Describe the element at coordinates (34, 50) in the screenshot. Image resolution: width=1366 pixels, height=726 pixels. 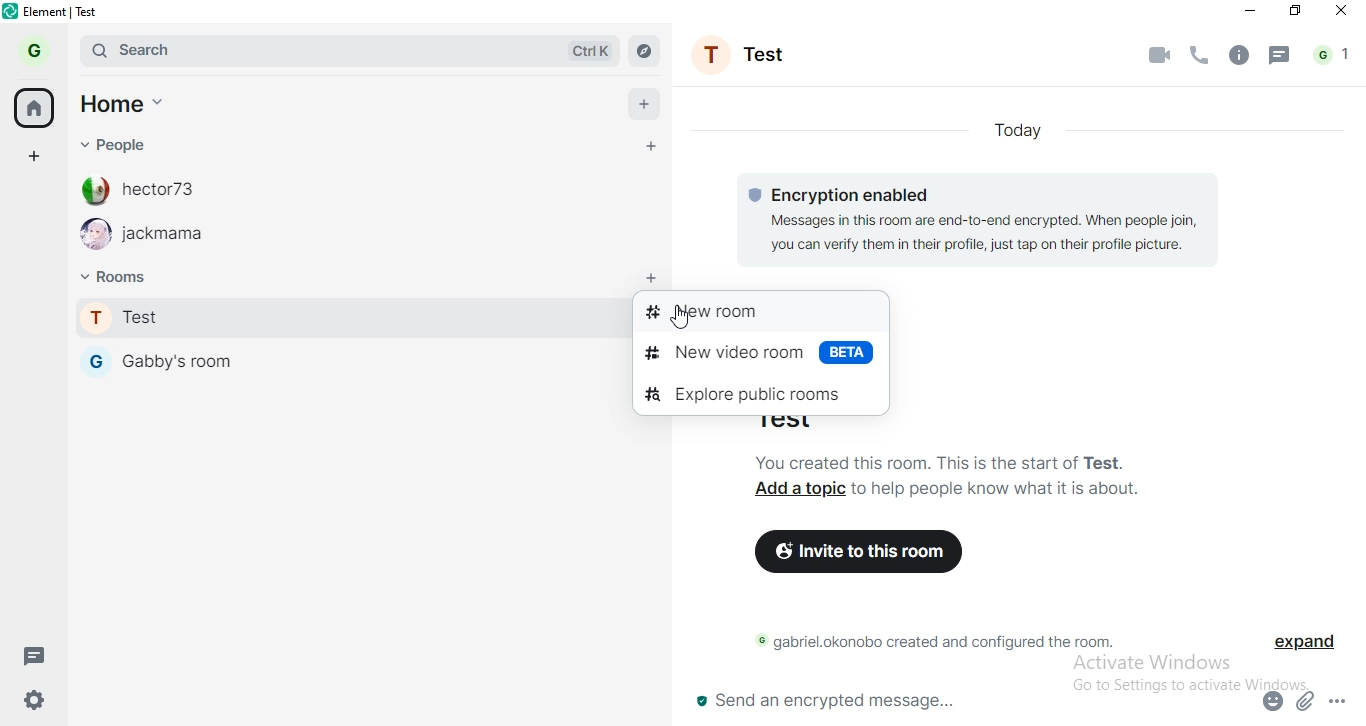
I see `profile` at that location.